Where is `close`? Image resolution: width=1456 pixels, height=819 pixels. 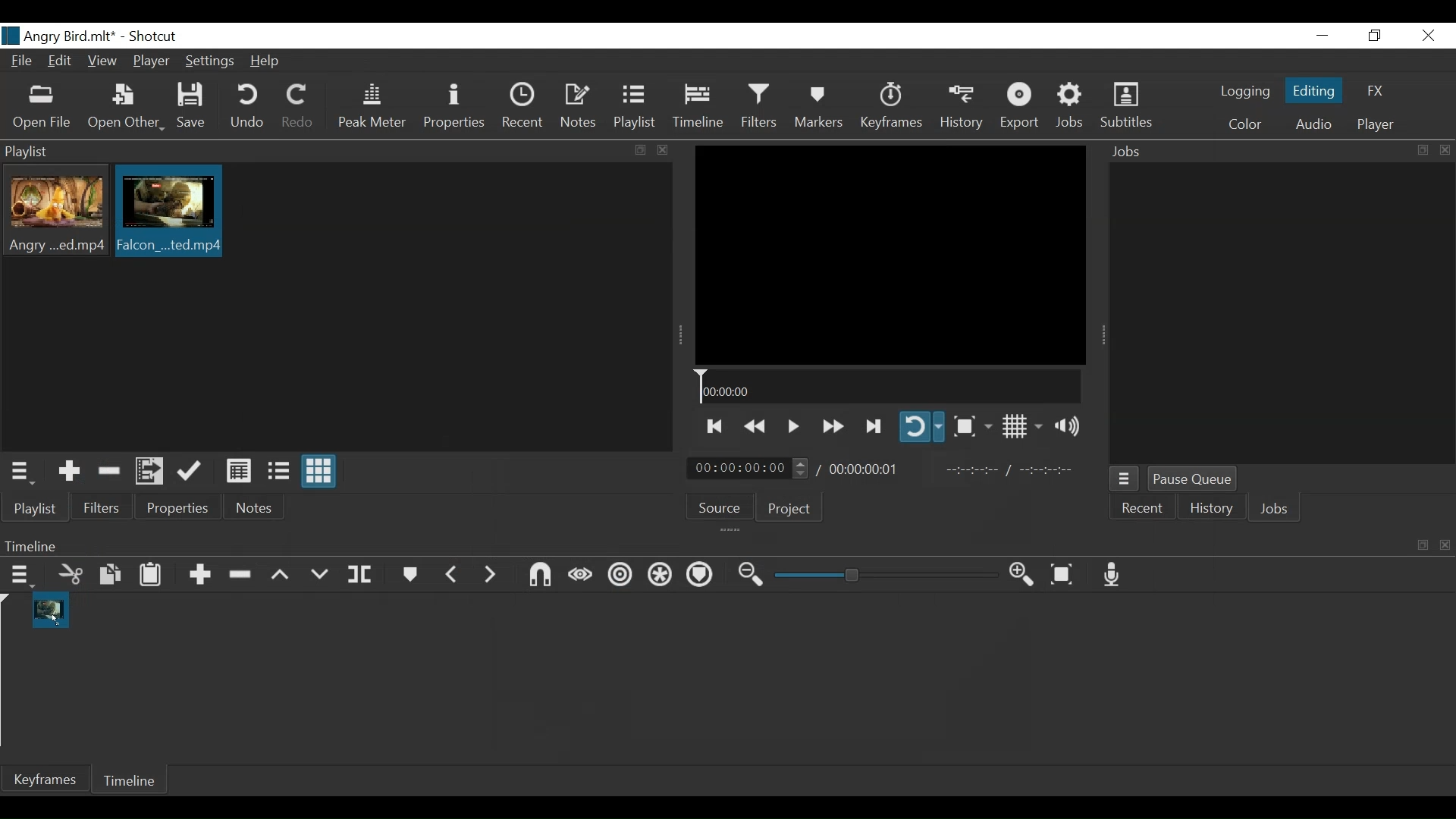 close is located at coordinates (1445, 150).